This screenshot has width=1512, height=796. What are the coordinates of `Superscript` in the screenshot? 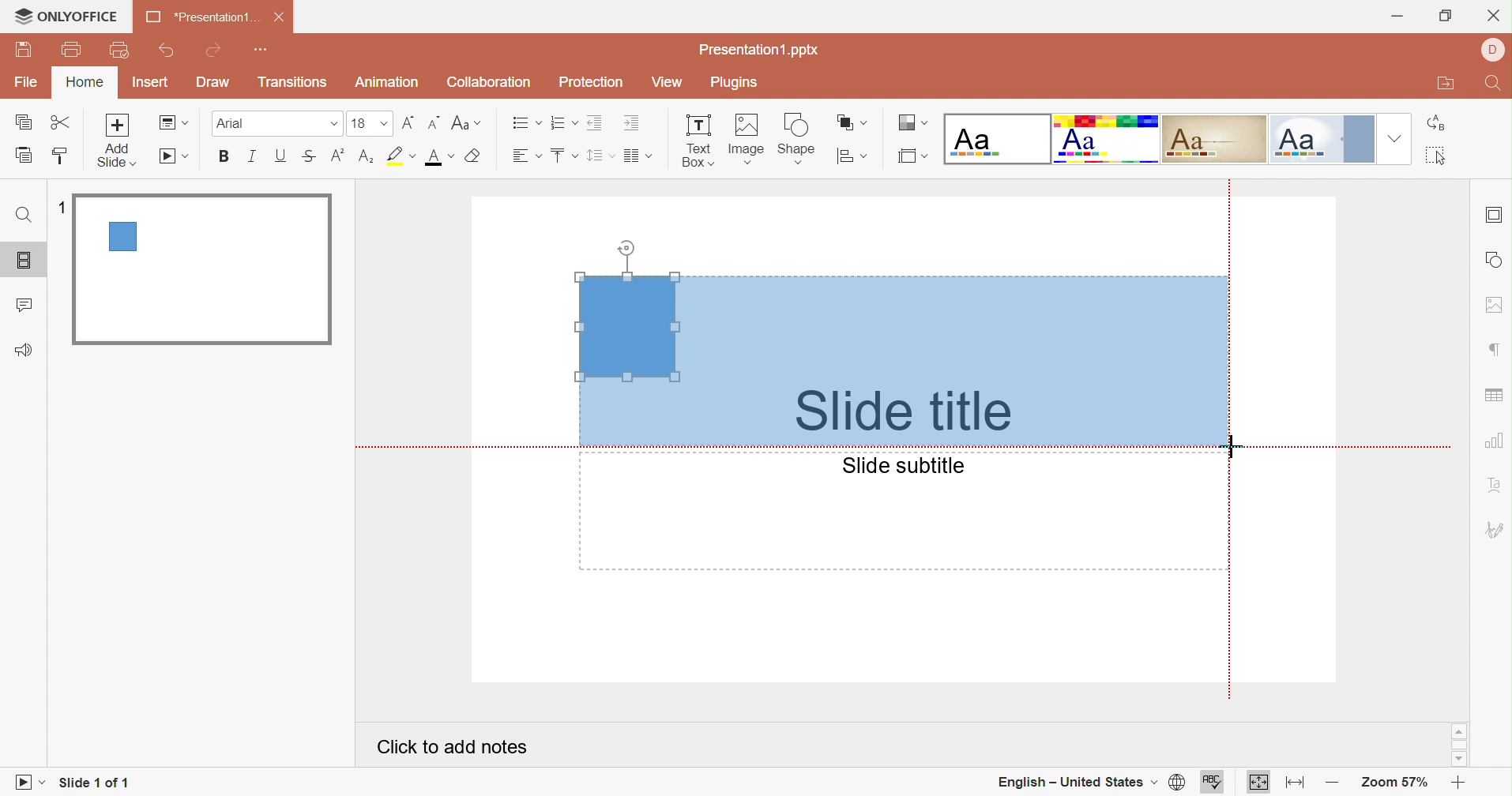 It's located at (336, 160).